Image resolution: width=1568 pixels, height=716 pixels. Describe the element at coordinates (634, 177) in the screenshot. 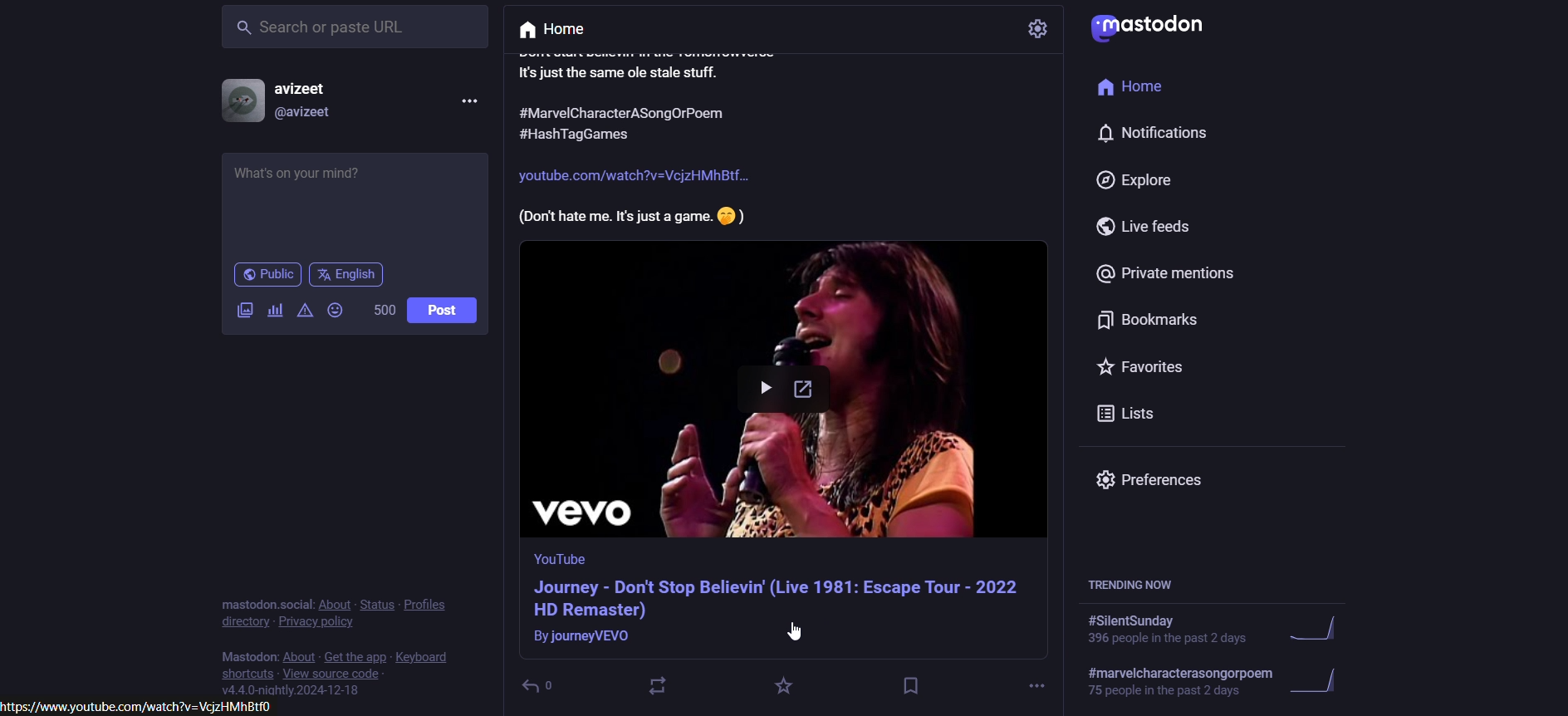

I see `` at that location.